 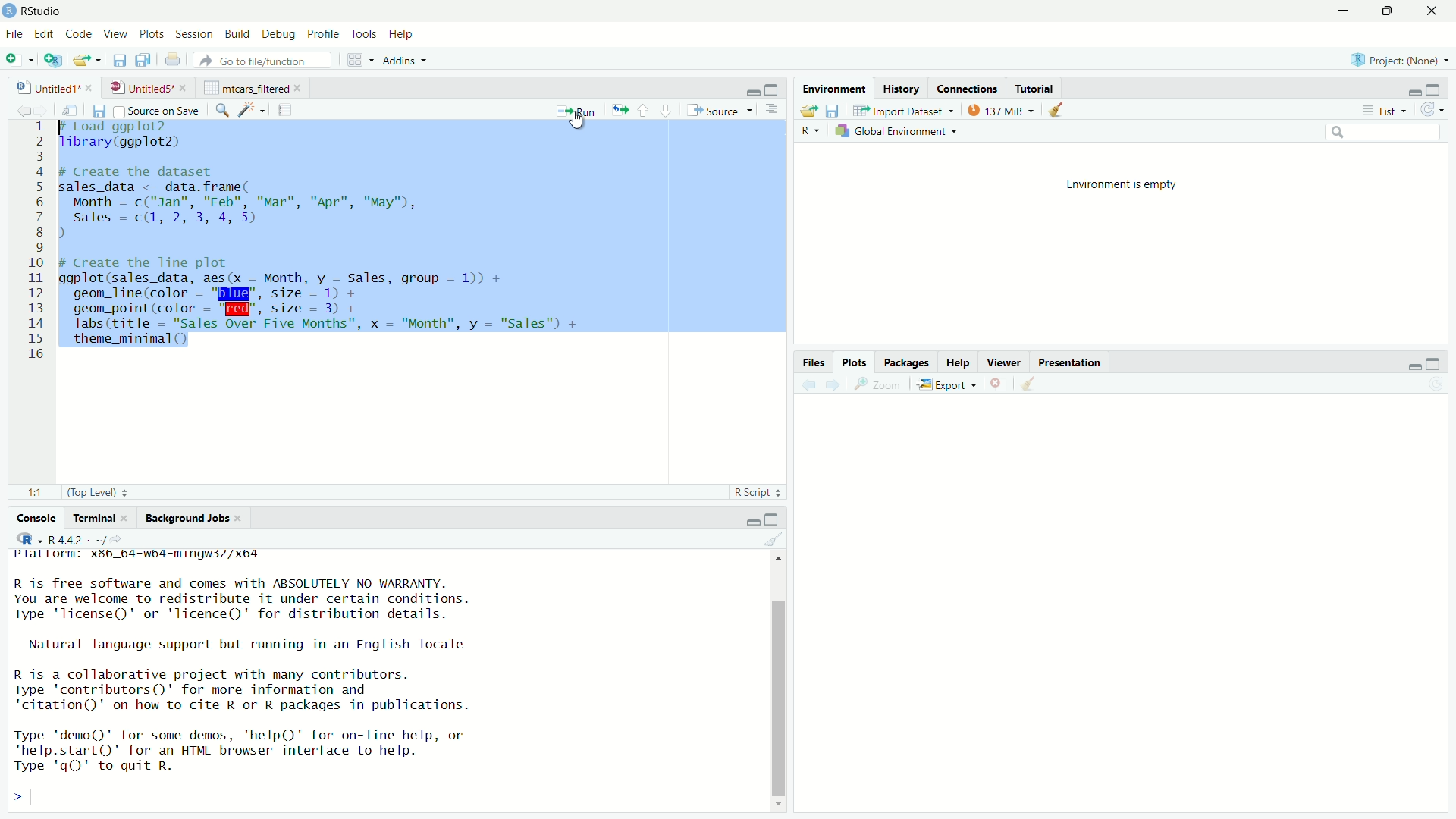 What do you see at coordinates (154, 35) in the screenshot?
I see `plots` at bounding box center [154, 35].